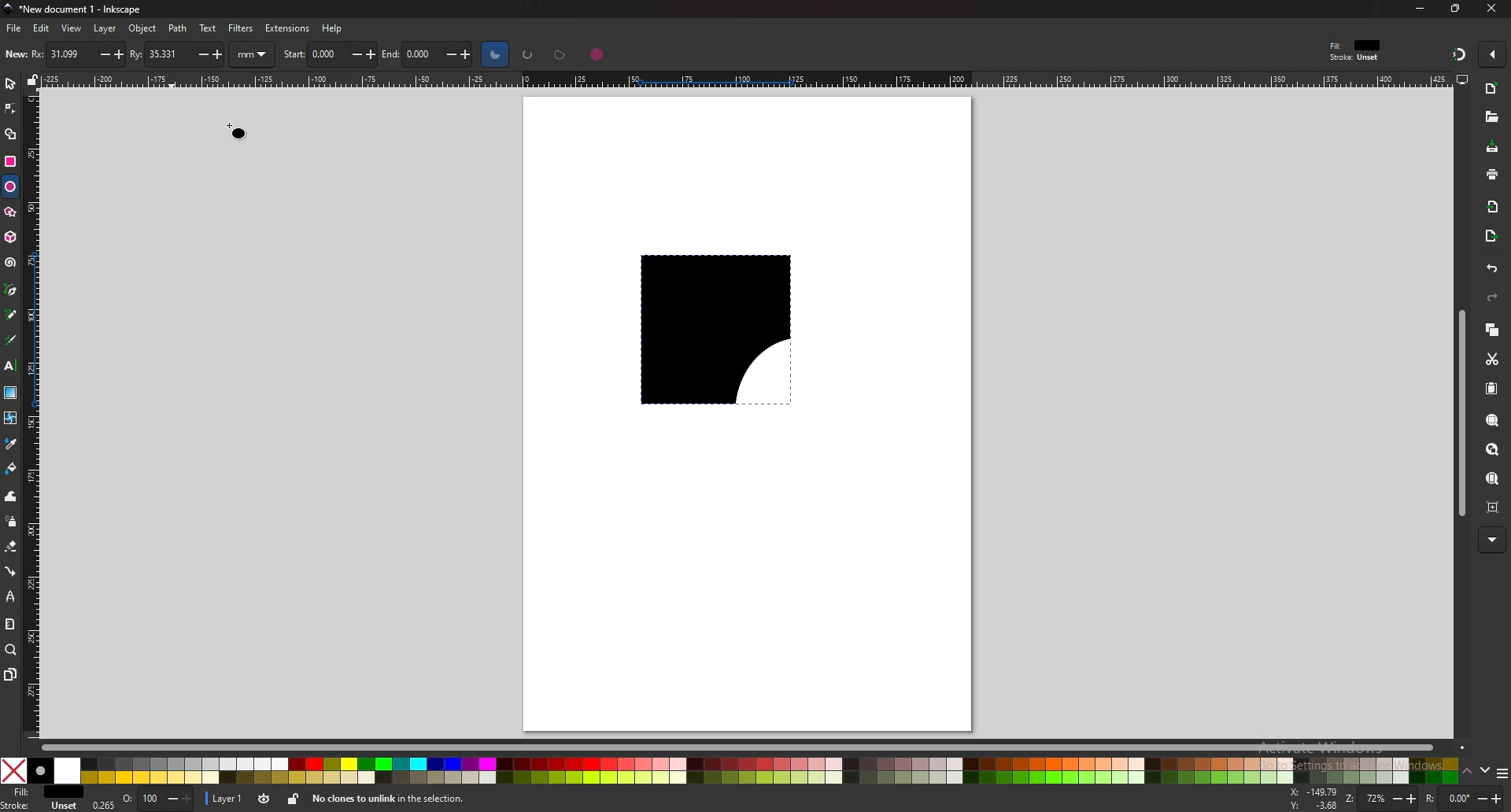 Image resolution: width=1511 pixels, height=812 pixels. Describe the element at coordinates (11, 596) in the screenshot. I see `lpe` at that location.